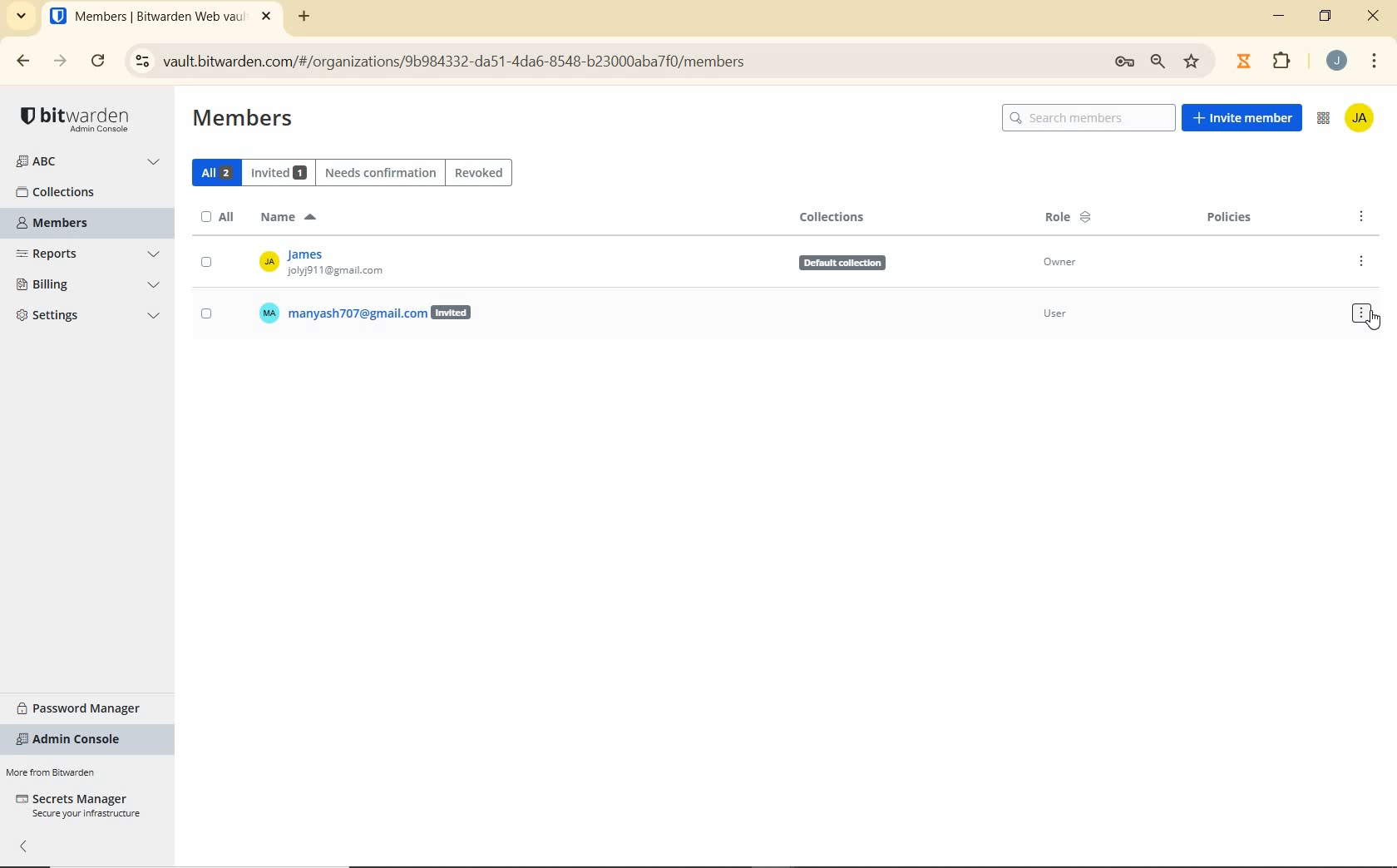 This screenshot has height=868, width=1397. What do you see at coordinates (89, 286) in the screenshot?
I see `BILLING` at bounding box center [89, 286].